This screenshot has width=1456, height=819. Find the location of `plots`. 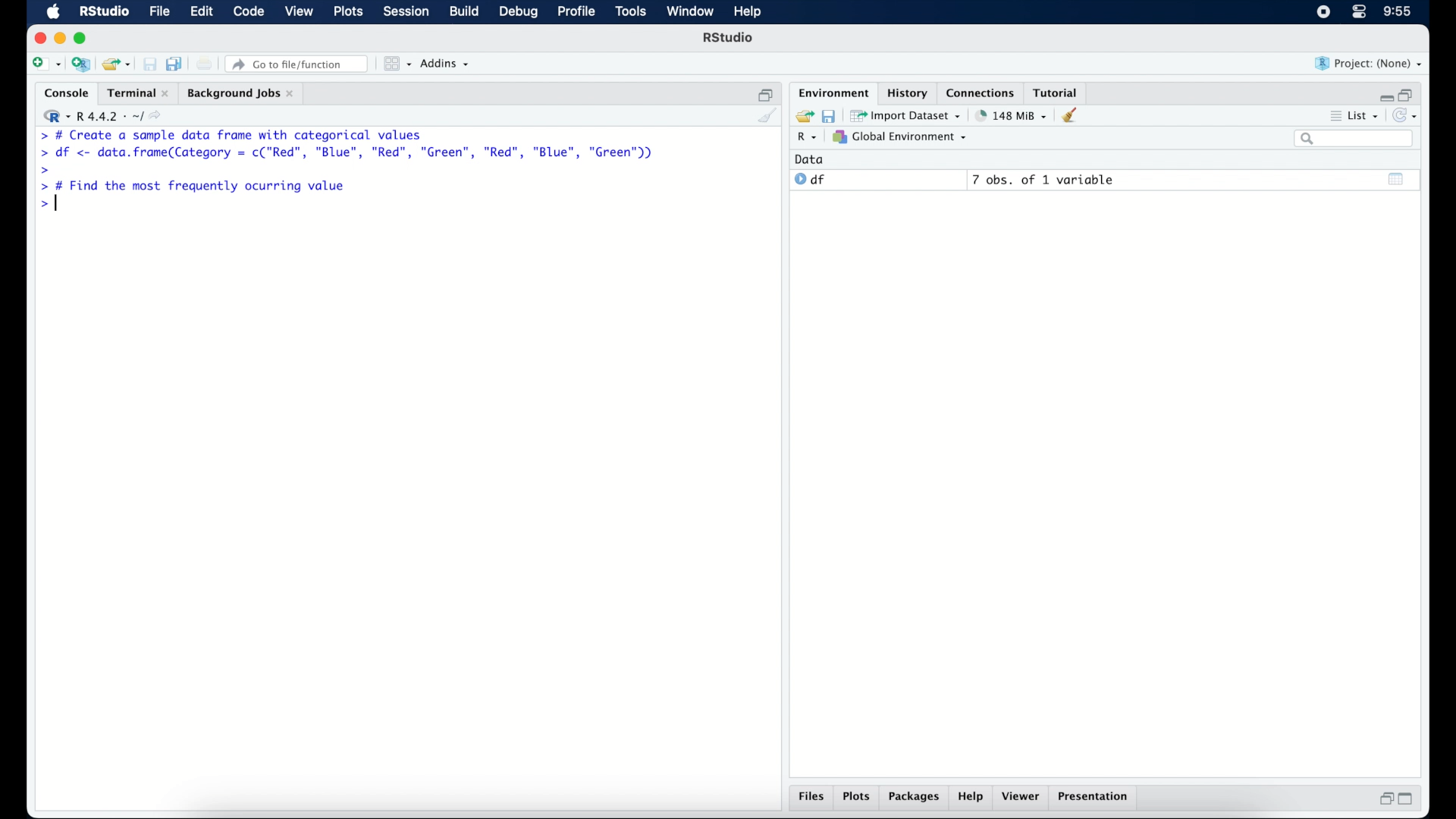

plots is located at coordinates (857, 798).